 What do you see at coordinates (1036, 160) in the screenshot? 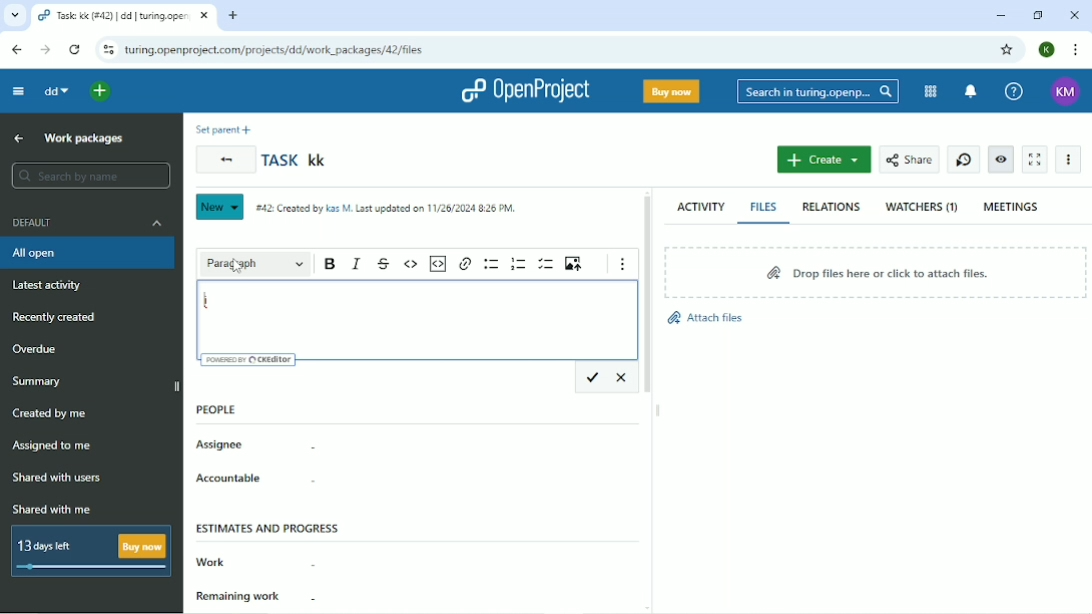
I see `Activate zen mode` at bounding box center [1036, 160].